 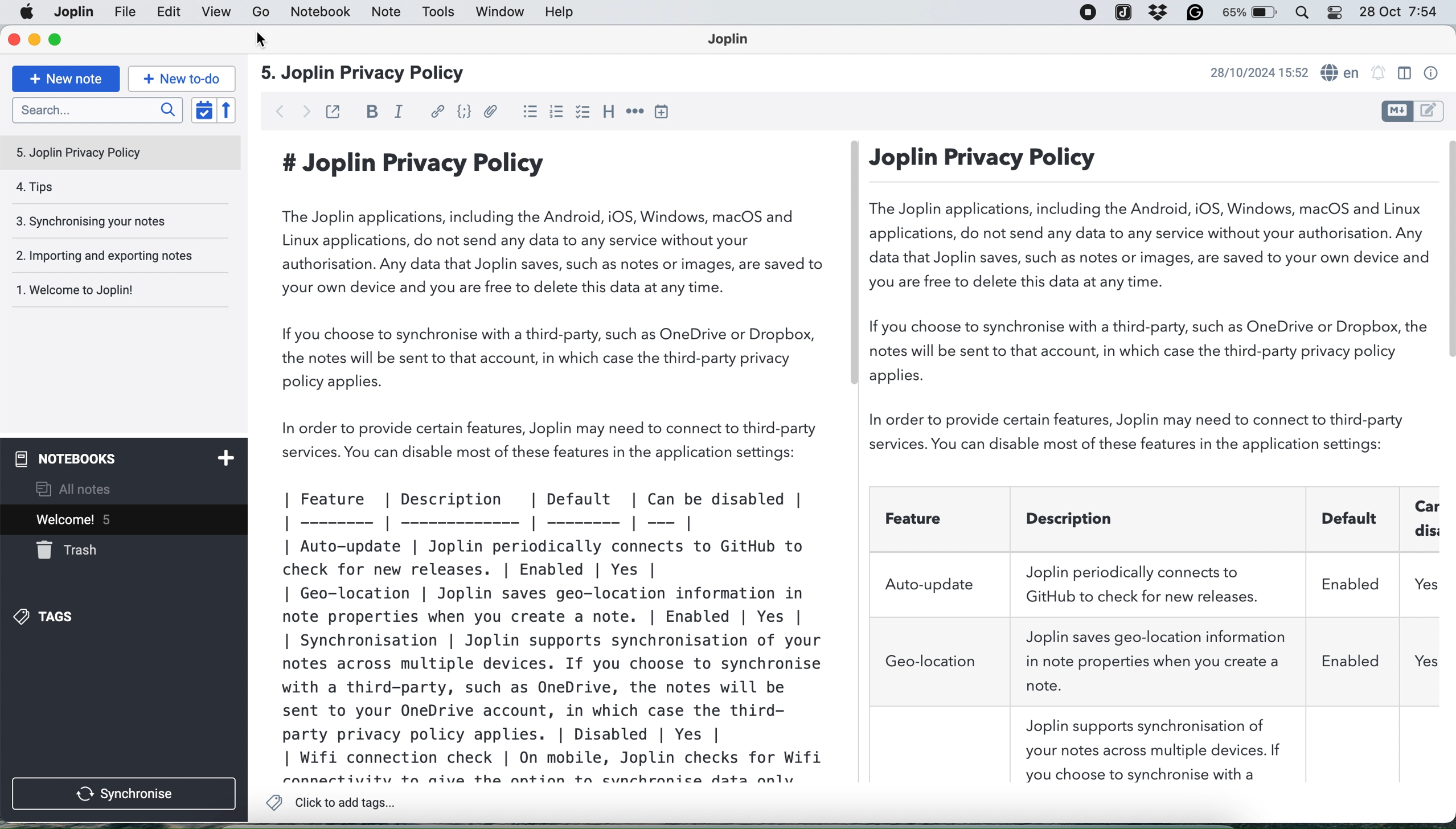 What do you see at coordinates (113, 289) in the screenshot?
I see `1. Welcome to Joplin` at bounding box center [113, 289].